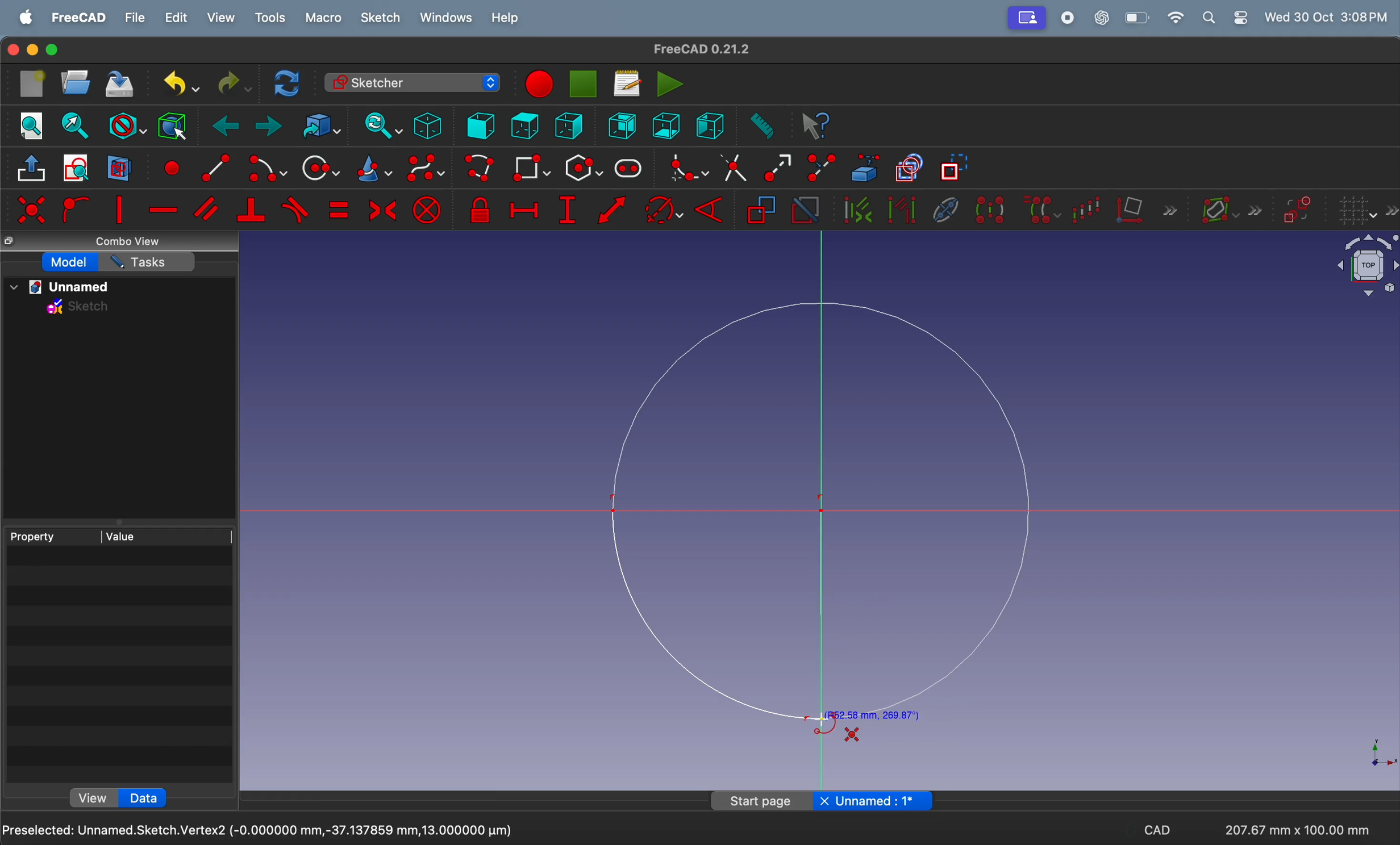 The image size is (1400, 845). What do you see at coordinates (79, 169) in the screenshot?
I see `view sketch` at bounding box center [79, 169].